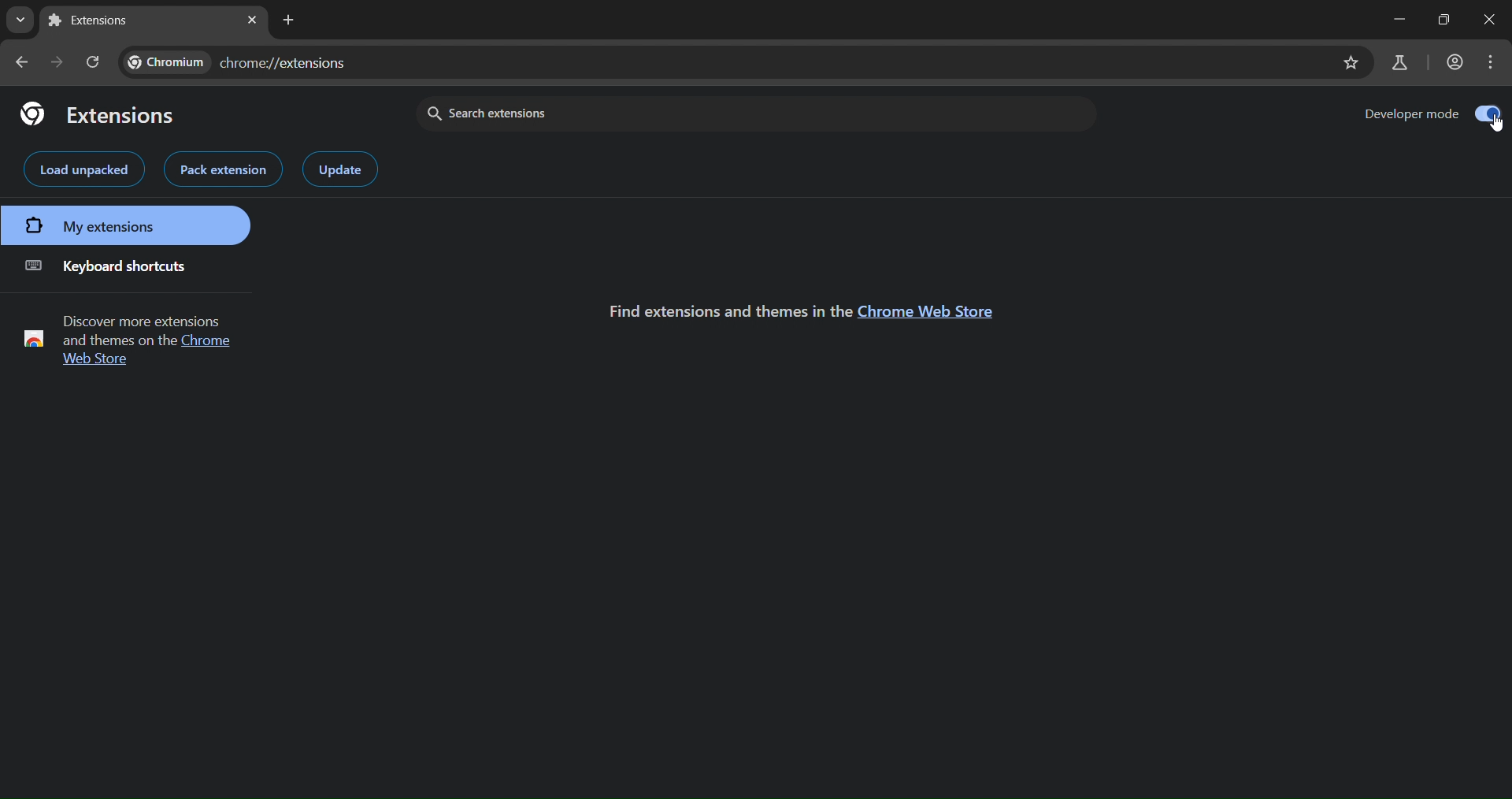  I want to click on menu, so click(1492, 64).